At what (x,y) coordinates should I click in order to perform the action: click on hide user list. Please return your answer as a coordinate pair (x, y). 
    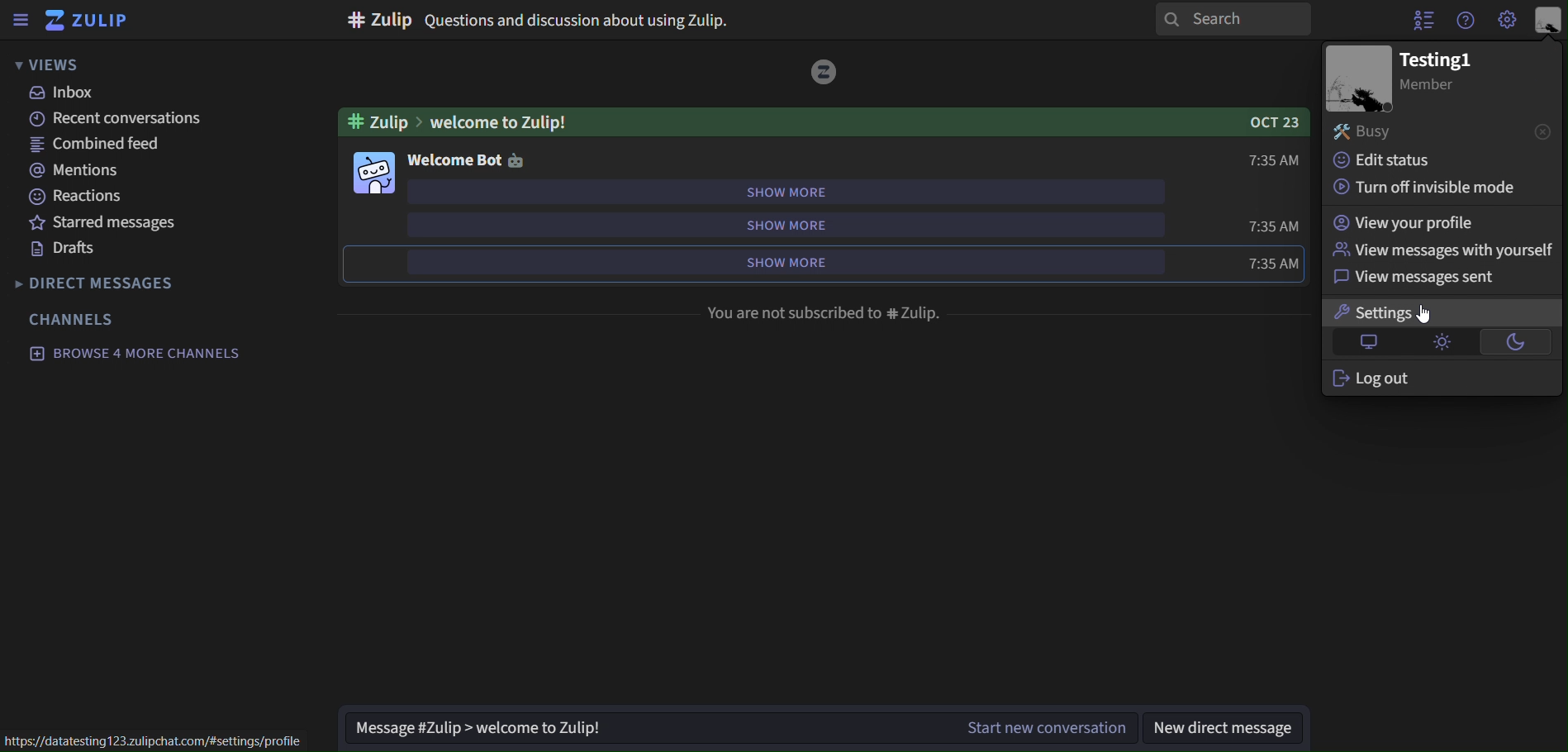
    Looking at the image, I should click on (1421, 17).